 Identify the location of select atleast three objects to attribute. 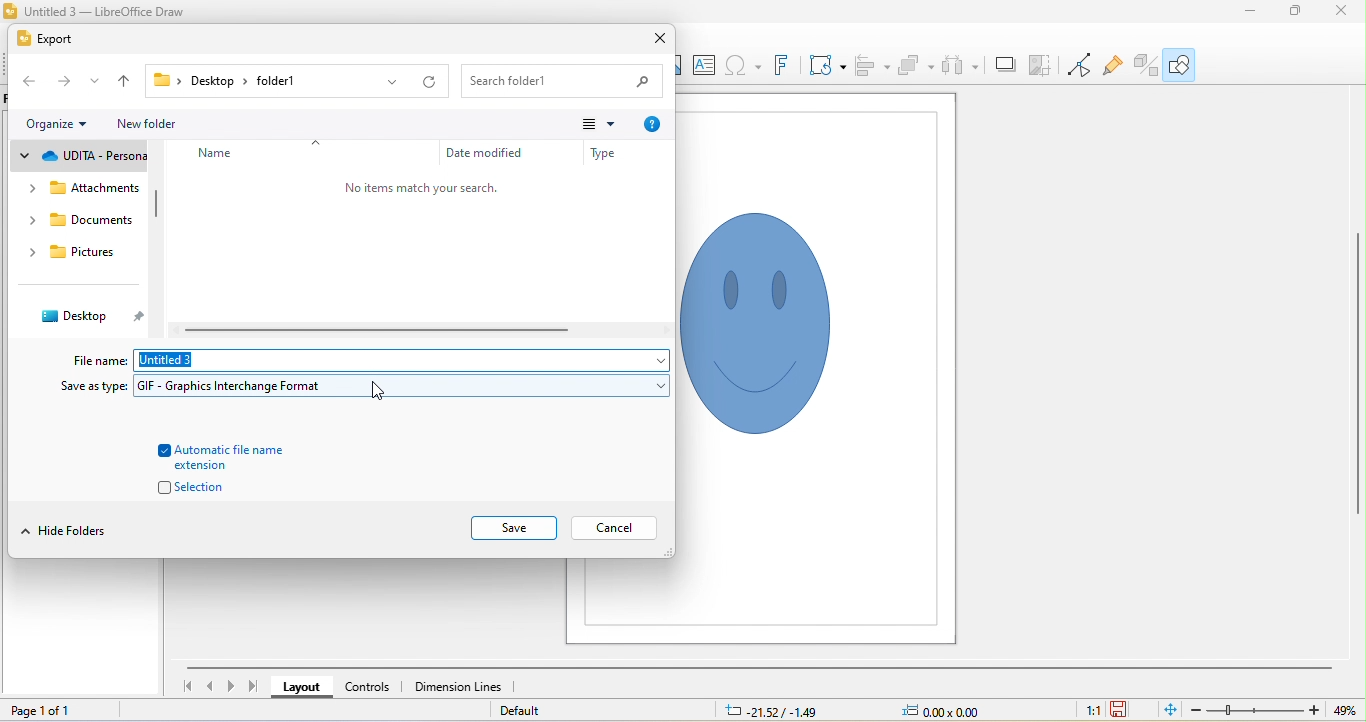
(960, 66).